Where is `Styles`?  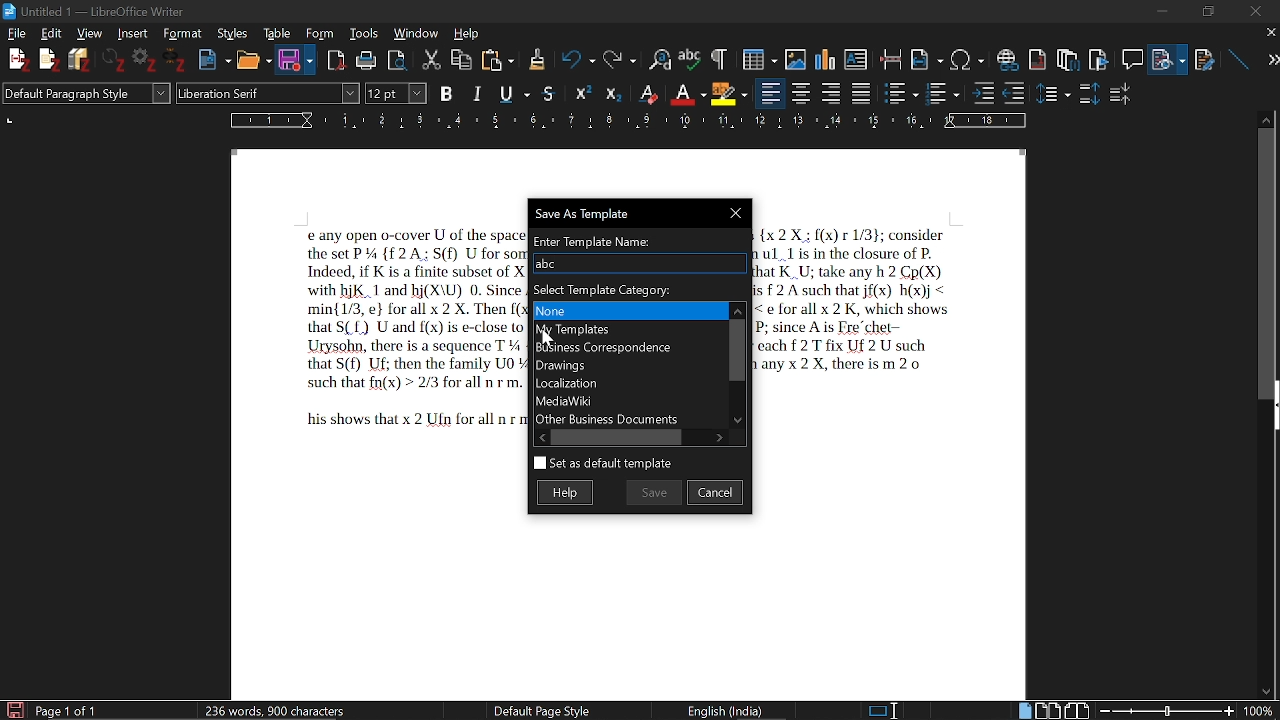
Styles is located at coordinates (231, 34).